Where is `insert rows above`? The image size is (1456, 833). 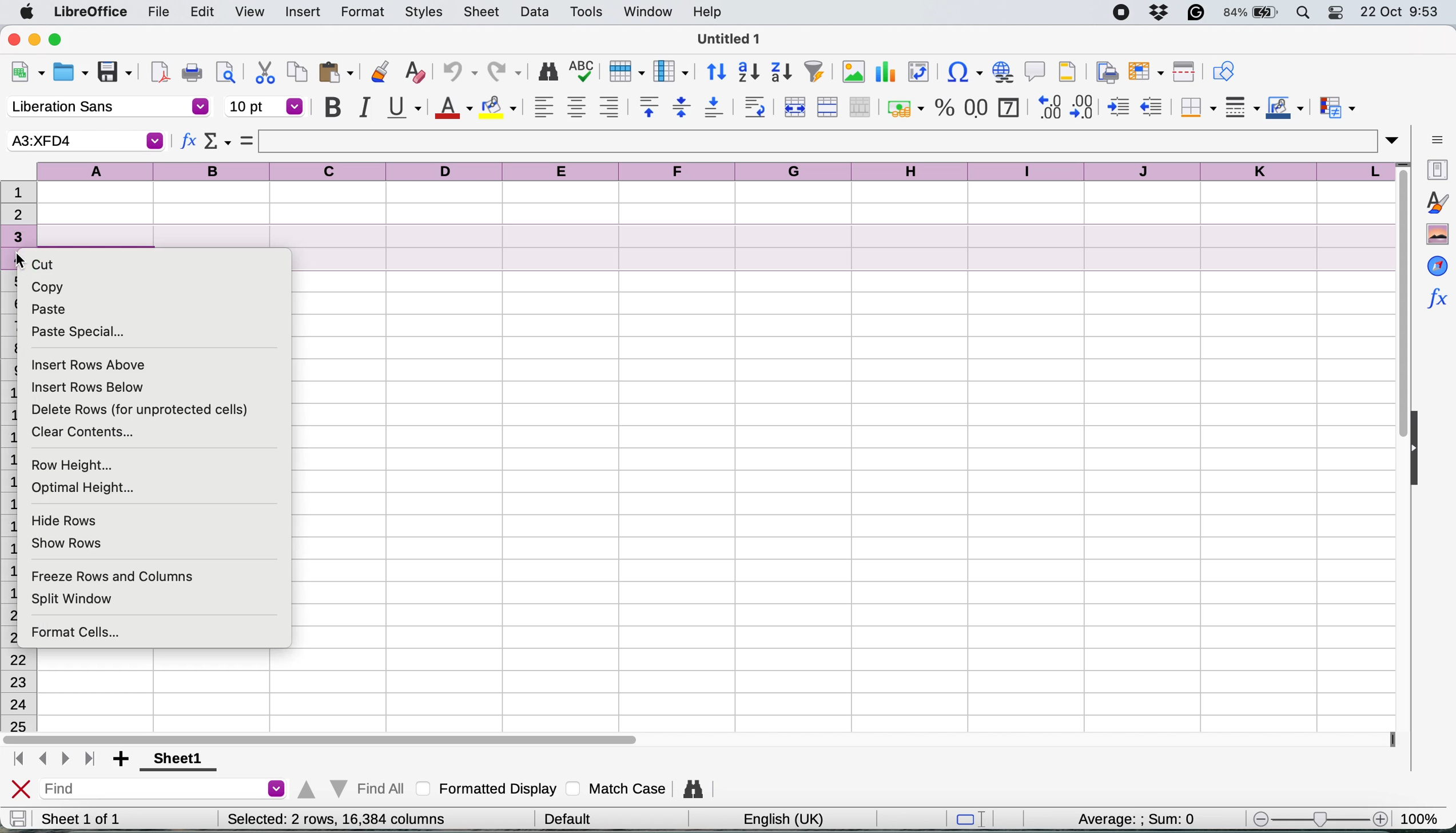 insert rows above is located at coordinates (92, 365).